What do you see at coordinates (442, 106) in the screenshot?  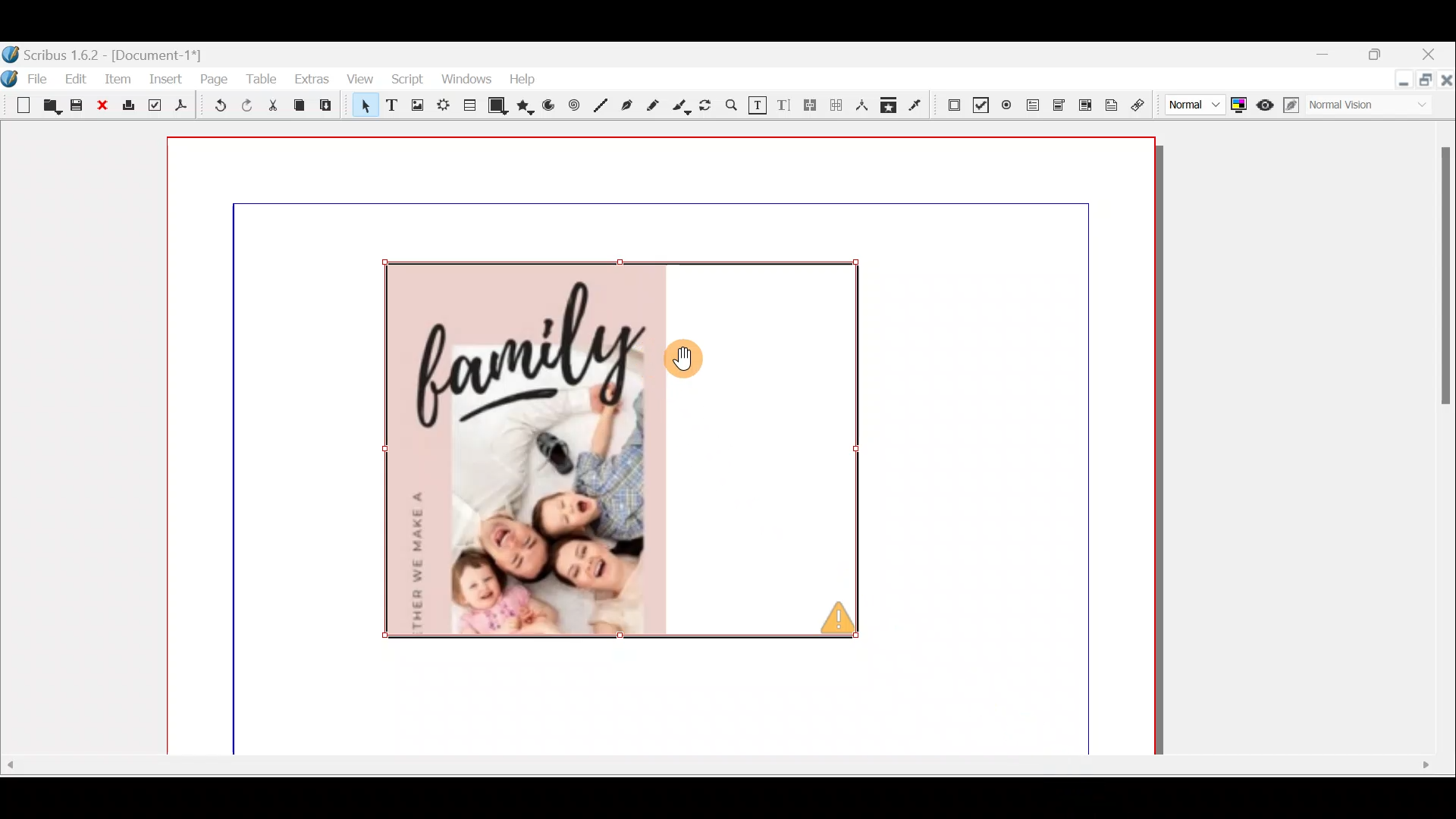 I see `Render frame` at bounding box center [442, 106].